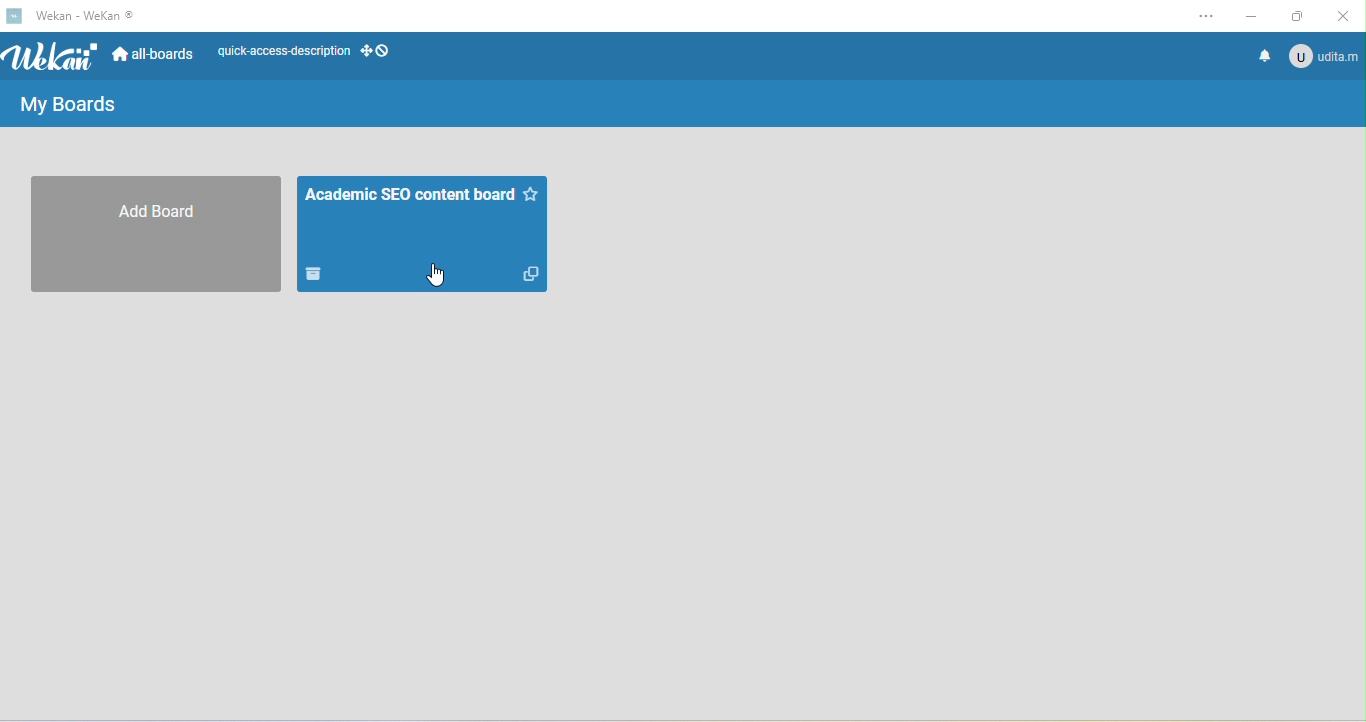 The image size is (1366, 722). What do you see at coordinates (156, 235) in the screenshot?
I see `add board` at bounding box center [156, 235].